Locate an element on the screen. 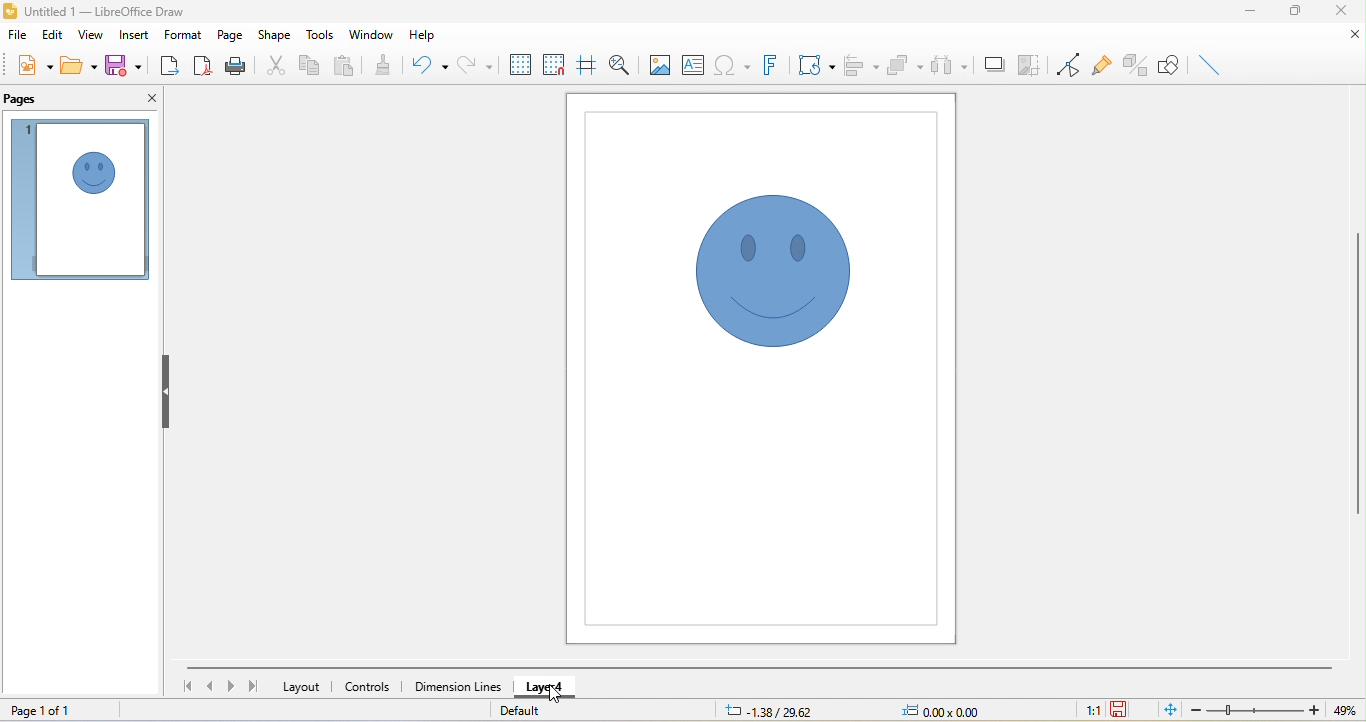 This screenshot has height=722, width=1366. save is located at coordinates (123, 64).